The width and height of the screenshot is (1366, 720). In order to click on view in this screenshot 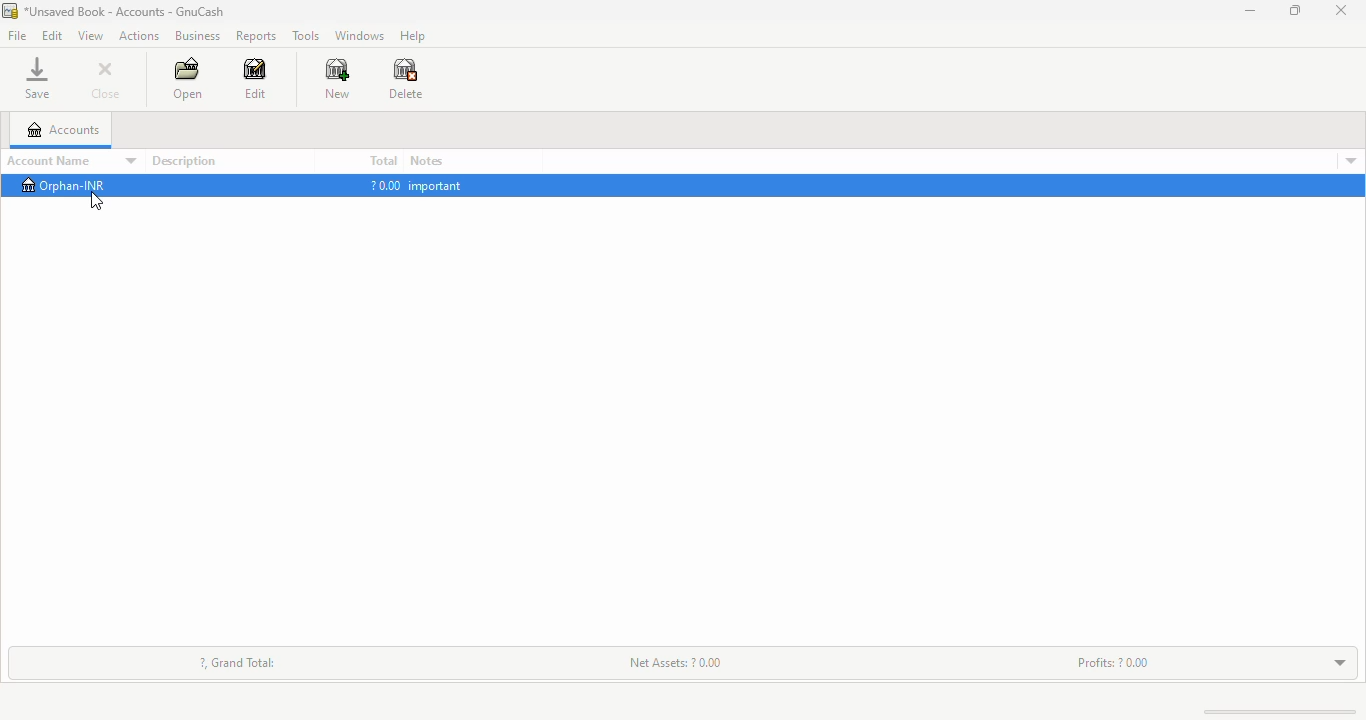, I will do `click(90, 34)`.